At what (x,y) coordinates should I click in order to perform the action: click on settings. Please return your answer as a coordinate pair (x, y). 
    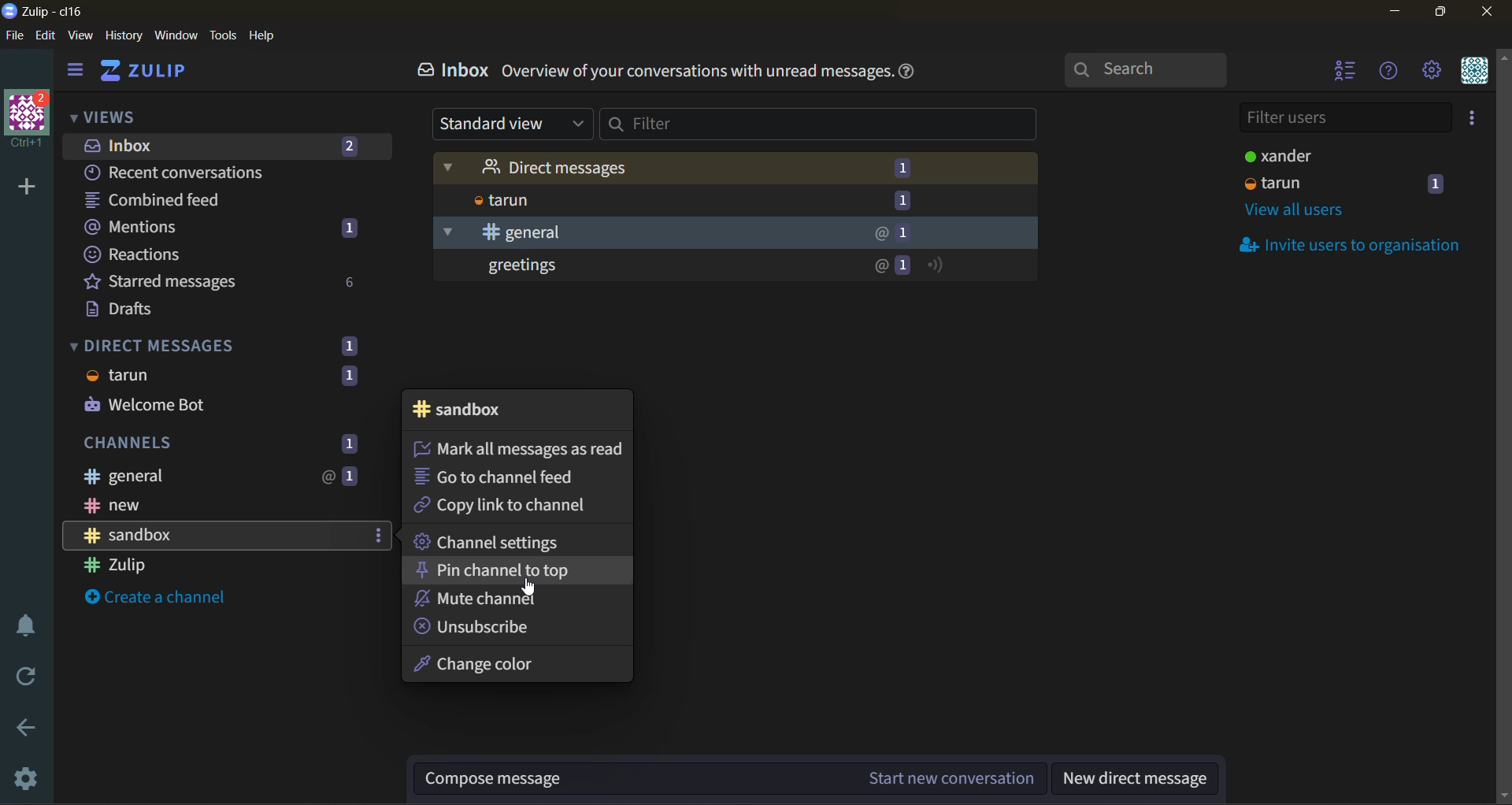
    Looking at the image, I should click on (28, 779).